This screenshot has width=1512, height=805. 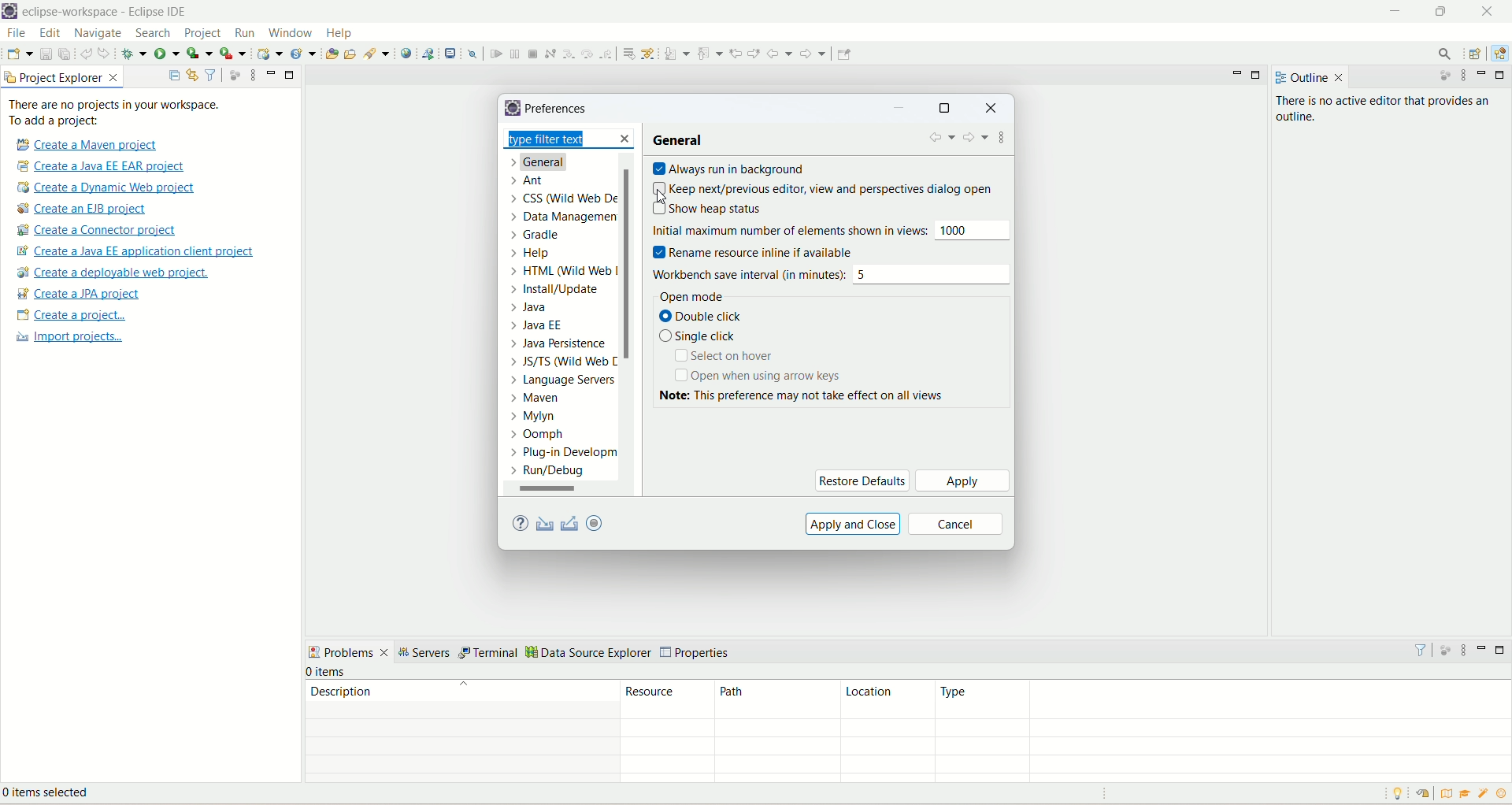 What do you see at coordinates (557, 473) in the screenshot?
I see `run/debug` at bounding box center [557, 473].